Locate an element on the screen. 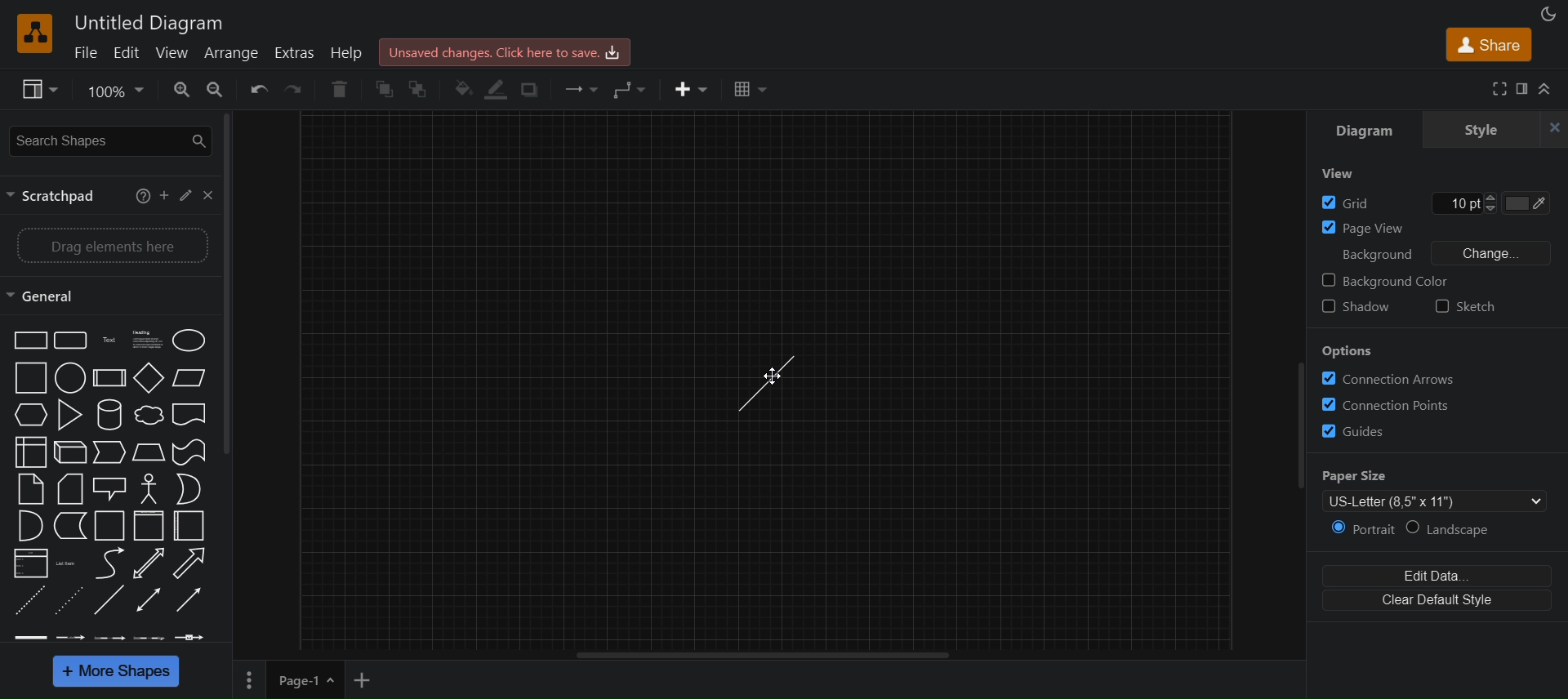 The width and height of the screenshot is (1568, 699). connector line shape is located at coordinates (766, 381).